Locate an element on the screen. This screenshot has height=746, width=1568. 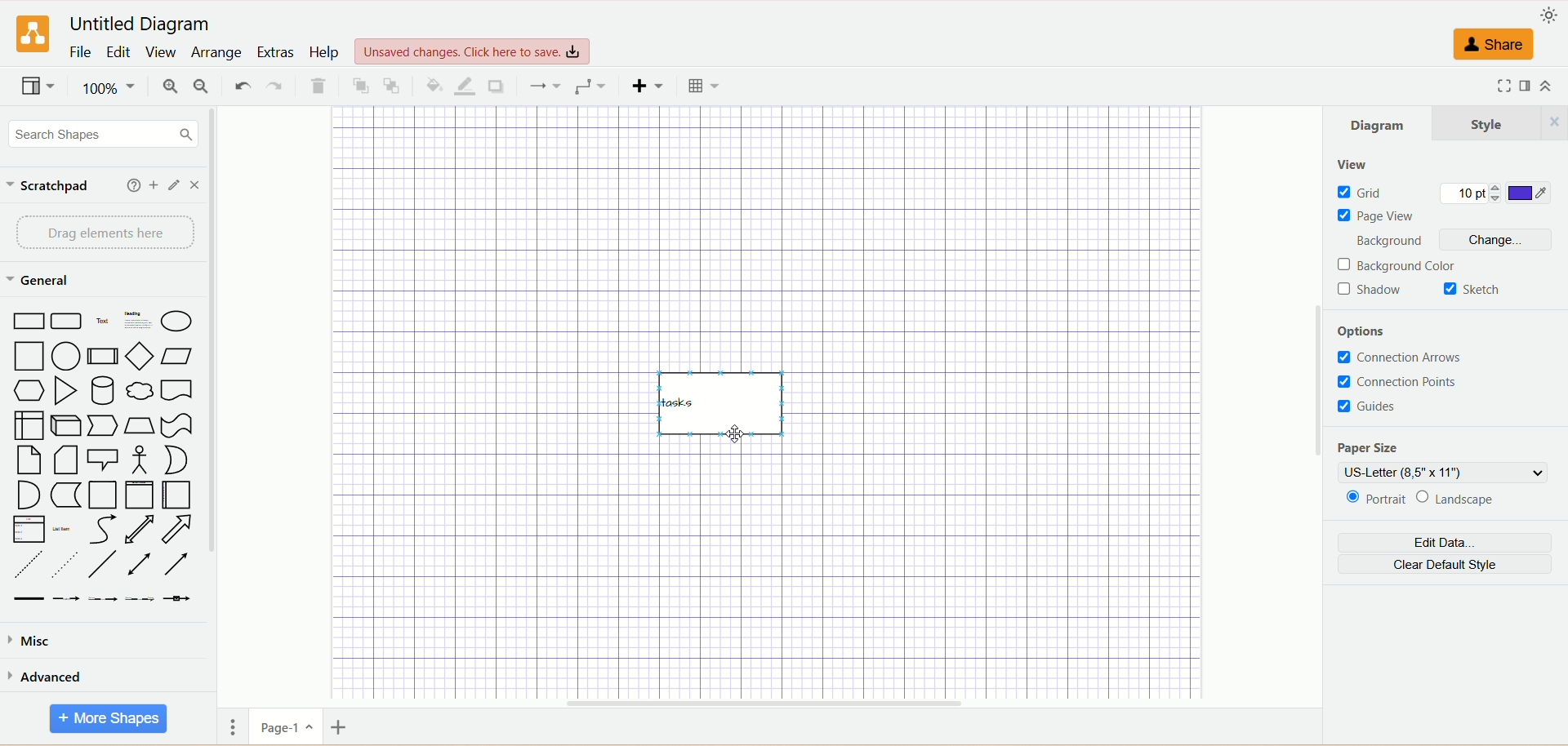
Cuboid is located at coordinates (67, 426).